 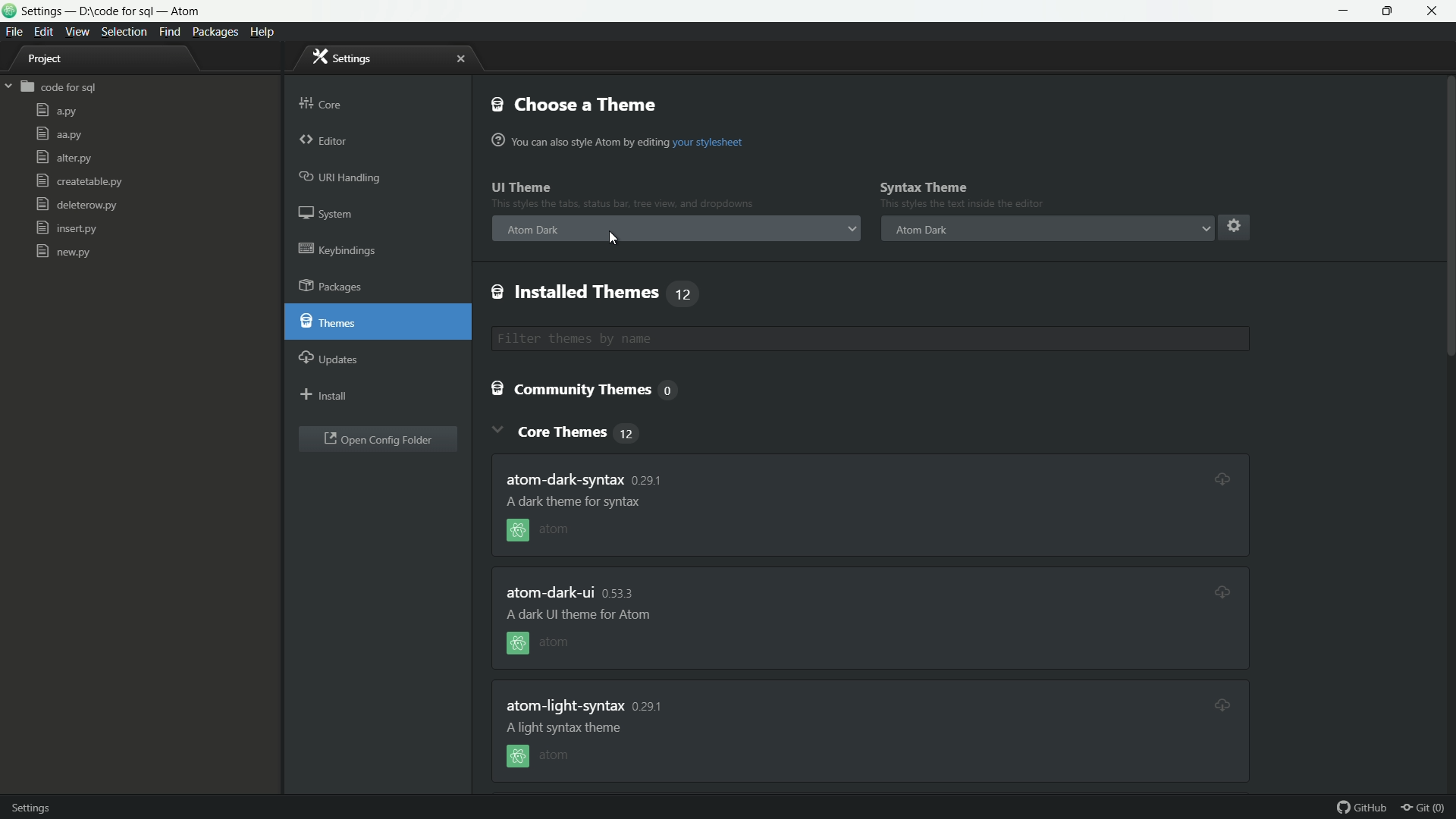 I want to click on find menu, so click(x=169, y=33).